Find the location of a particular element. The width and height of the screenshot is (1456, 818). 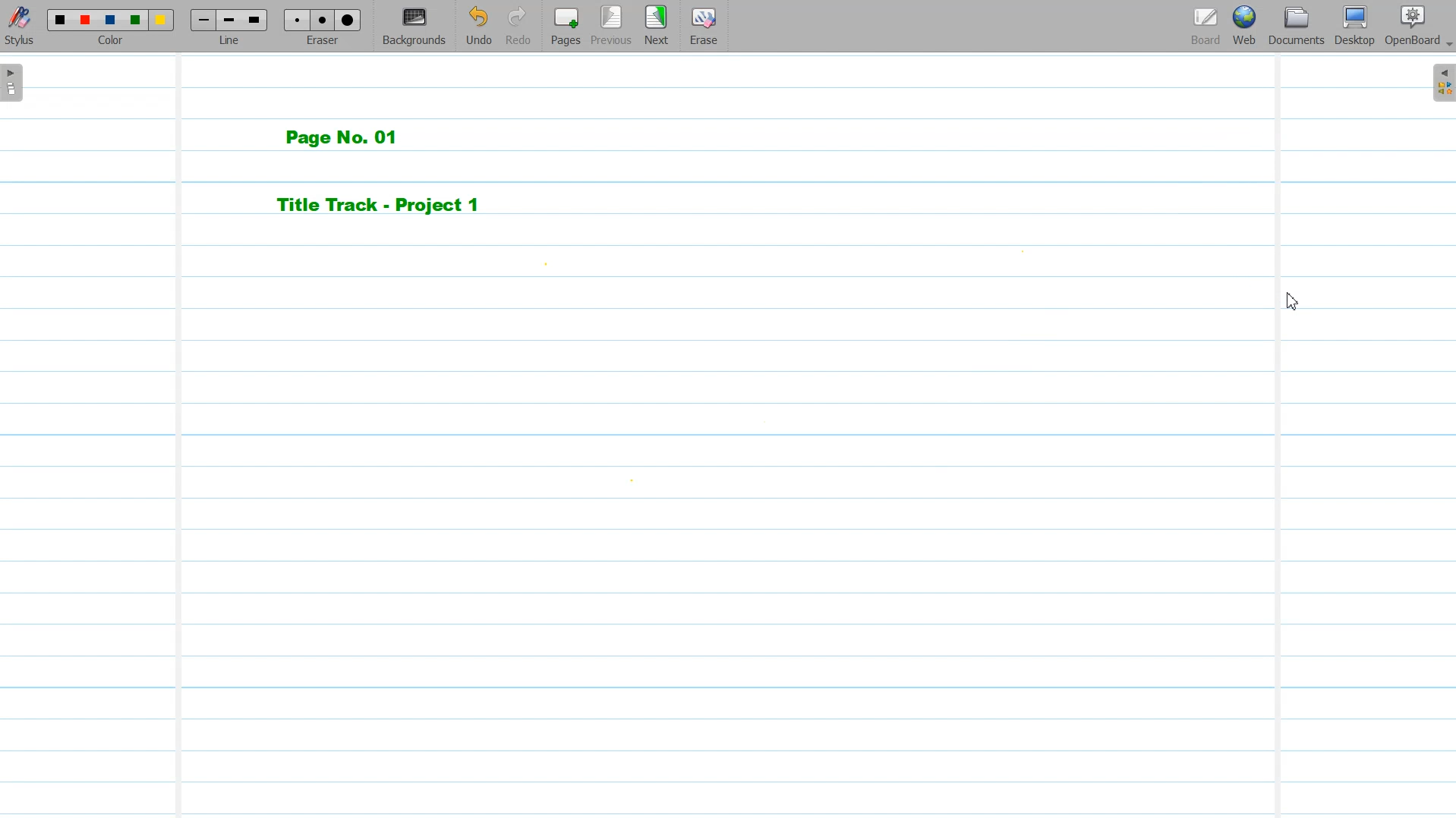

Page No. 01
Title Track - Project 1 is located at coordinates (407, 171).